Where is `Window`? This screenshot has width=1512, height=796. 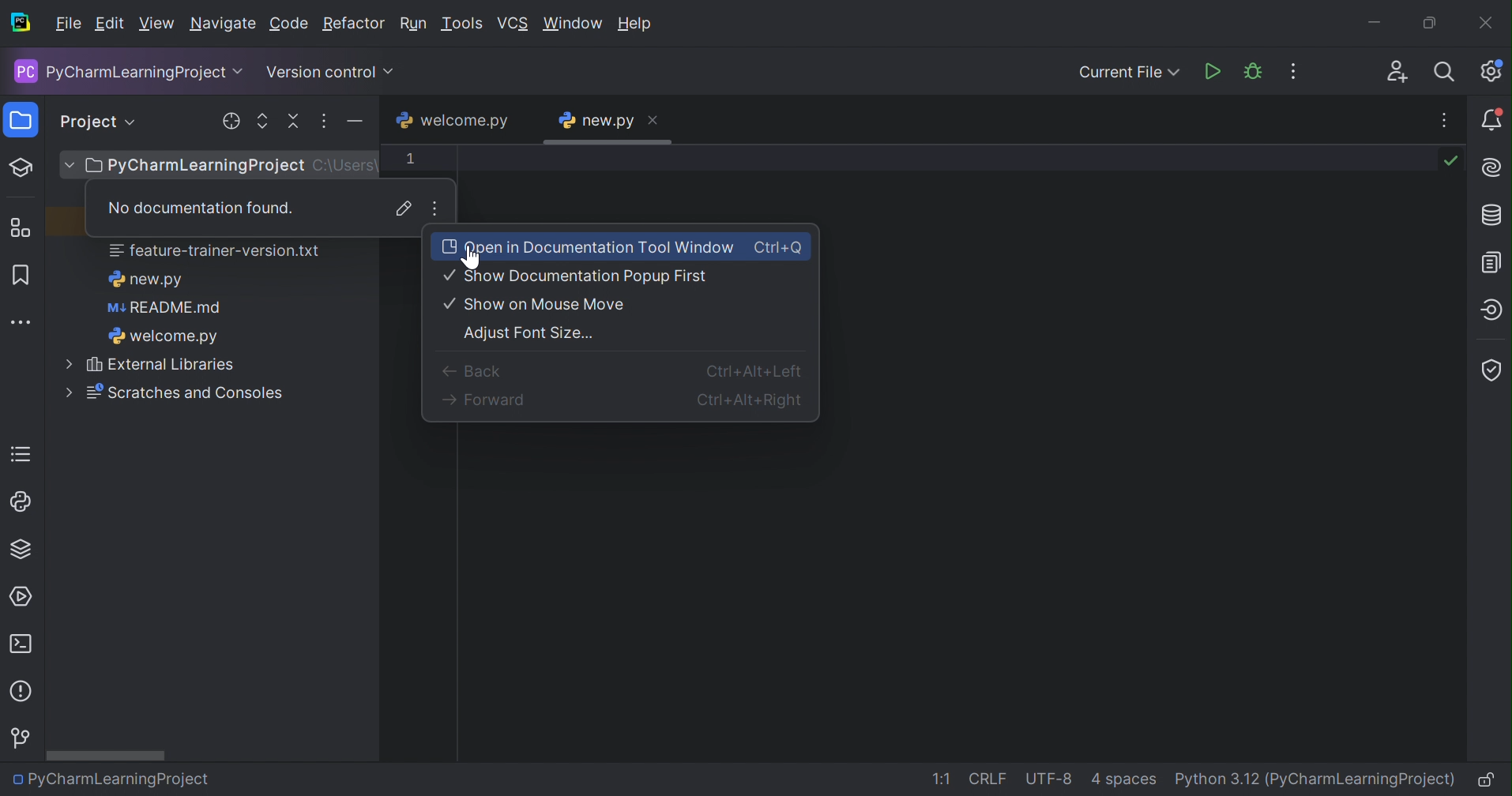 Window is located at coordinates (573, 22).